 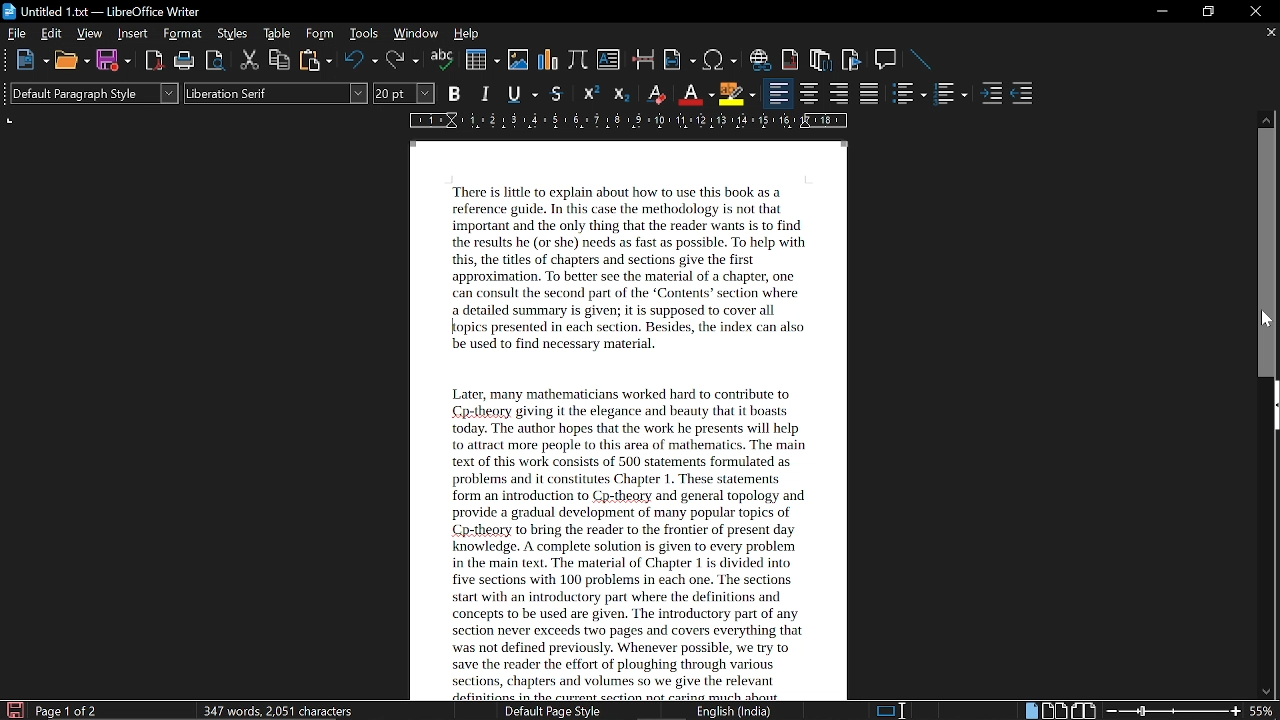 What do you see at coordinates (590, 95) in the screenshot?
I see `superscript` at bounding box center [590, 95].